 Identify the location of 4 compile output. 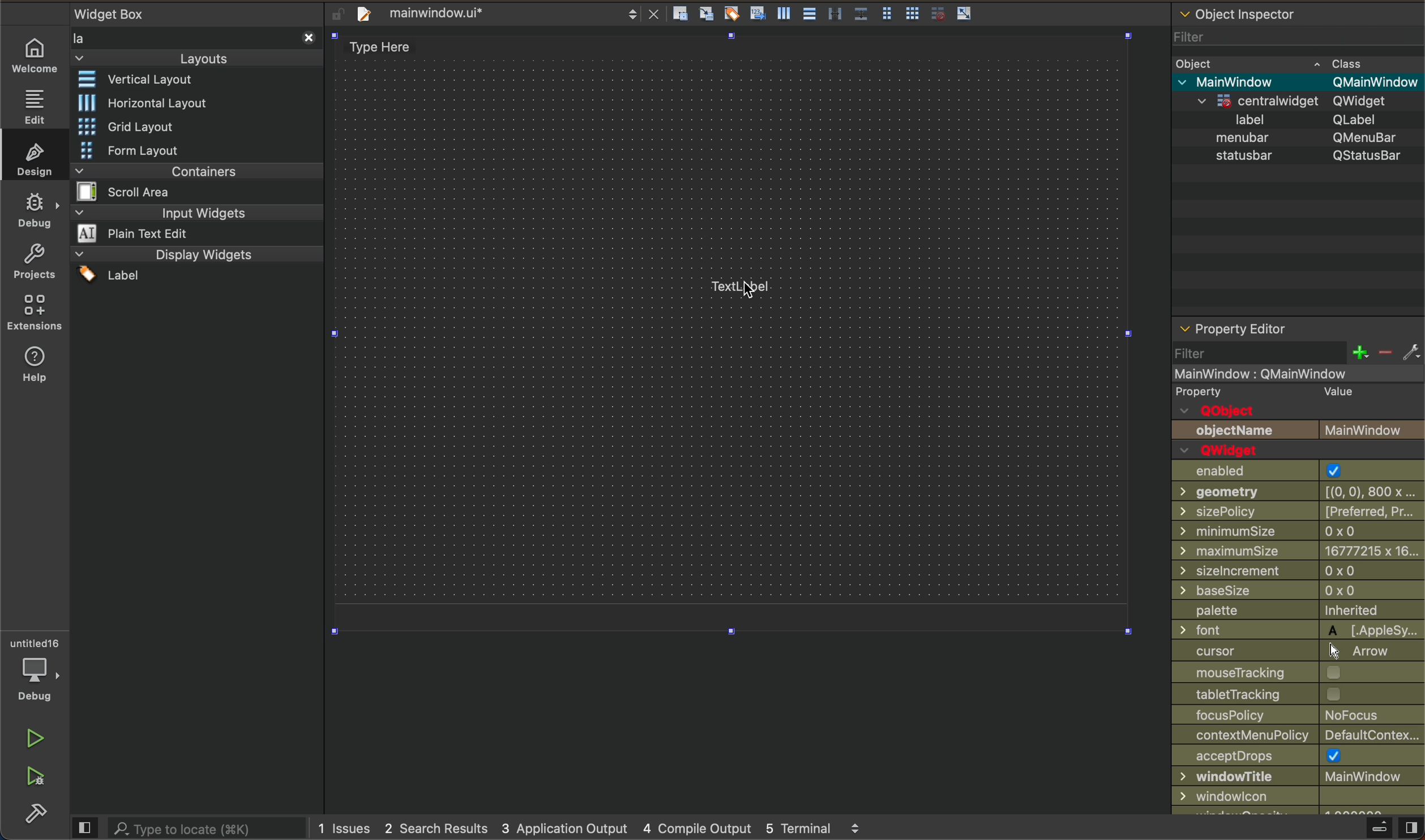
(697, 826).